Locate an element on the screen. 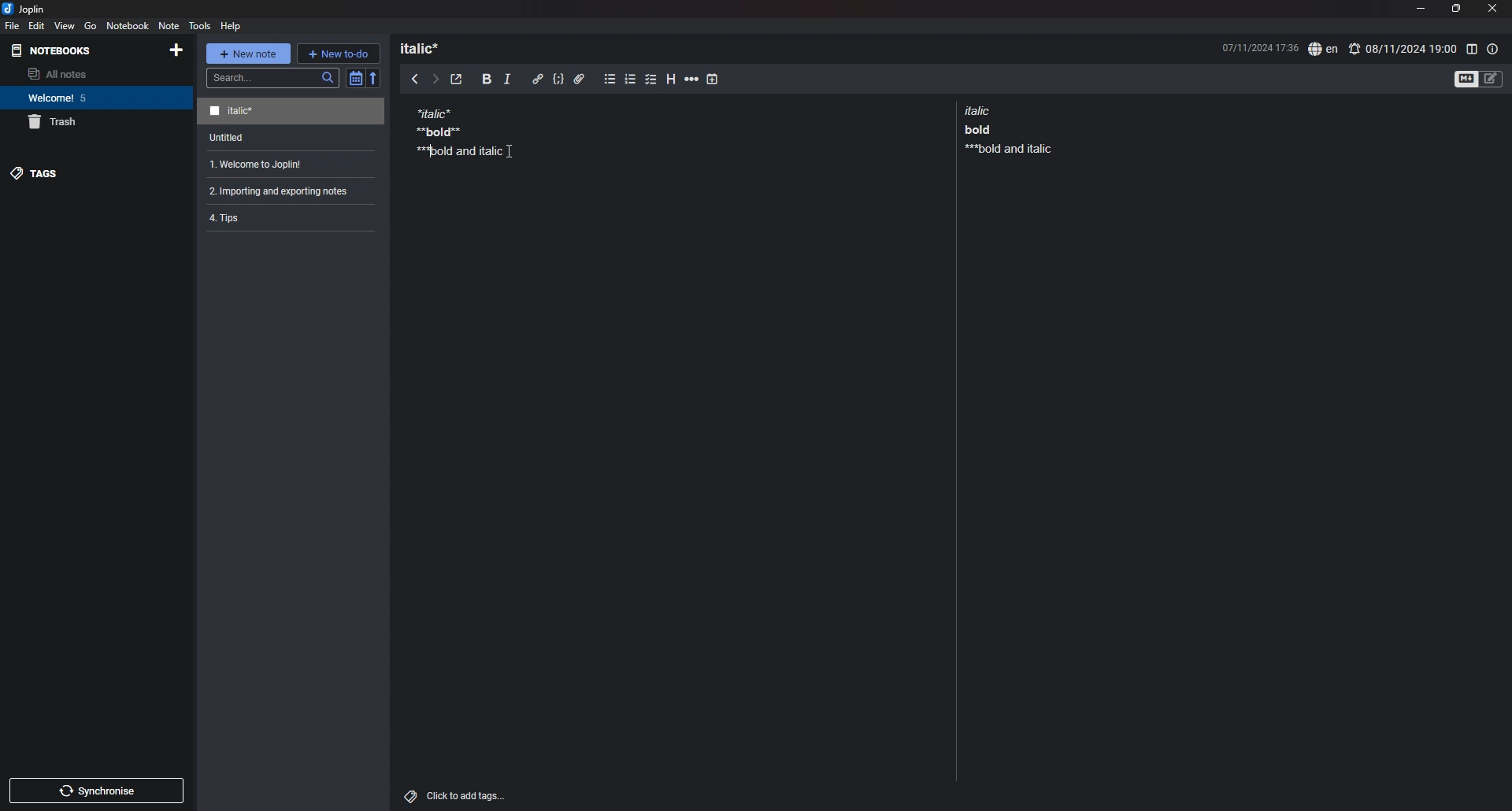  note is located at coordinates (285, 217).